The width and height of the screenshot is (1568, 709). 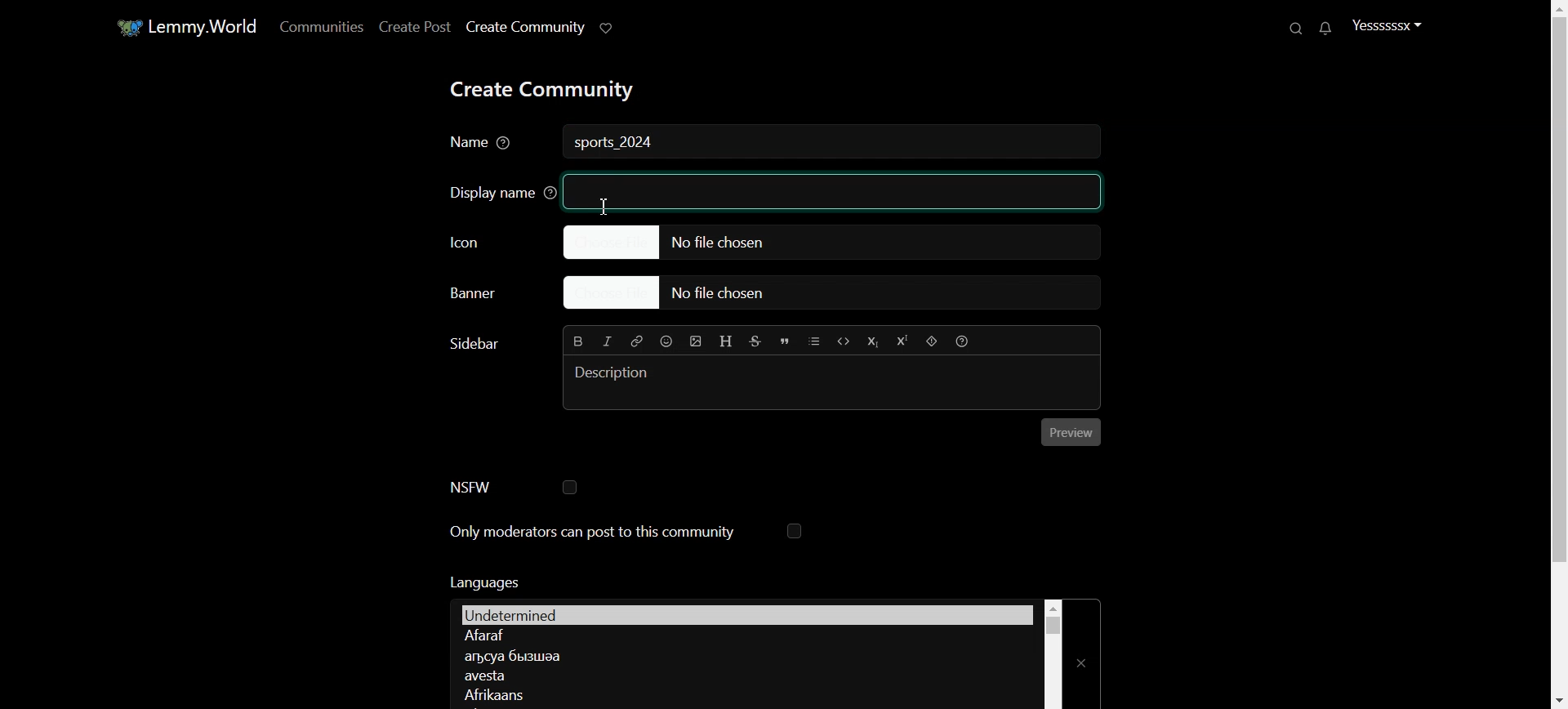 I want to click on Profile, so click(x=1387, y=25).